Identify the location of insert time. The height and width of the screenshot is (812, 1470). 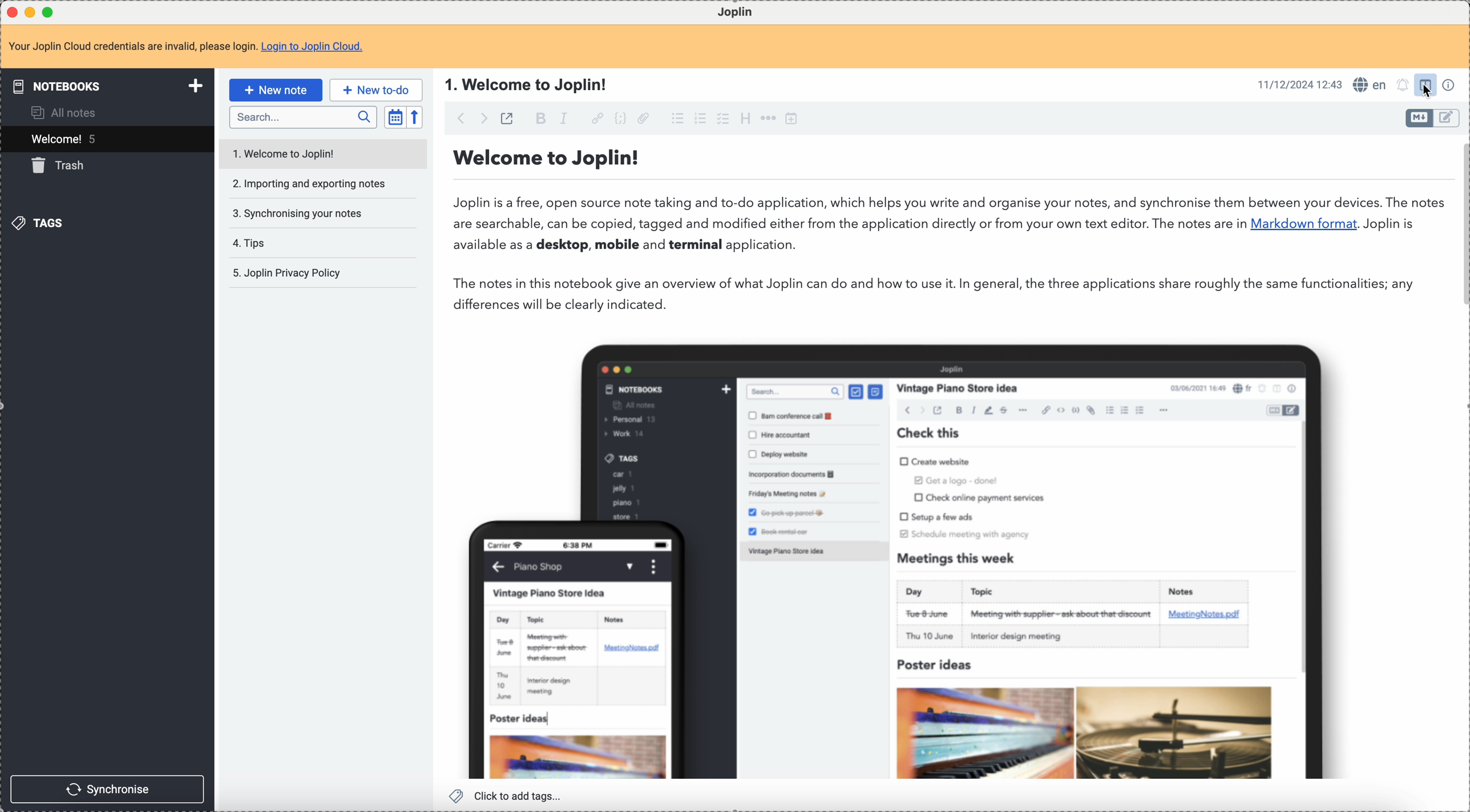
(791, 118).